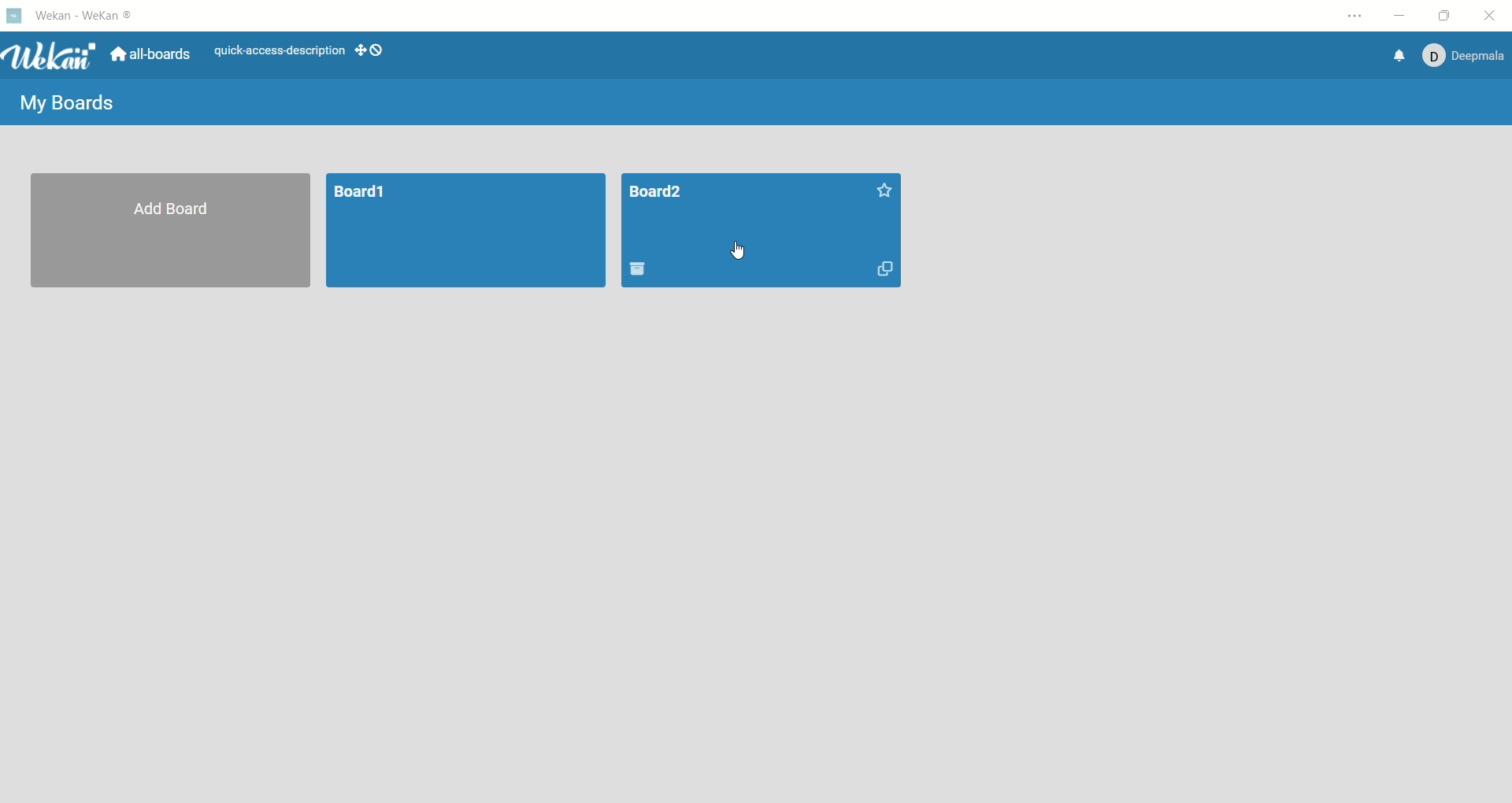  Describe the element at coordinates (732, 250) in the screenshot. I see `cursor` at that location.